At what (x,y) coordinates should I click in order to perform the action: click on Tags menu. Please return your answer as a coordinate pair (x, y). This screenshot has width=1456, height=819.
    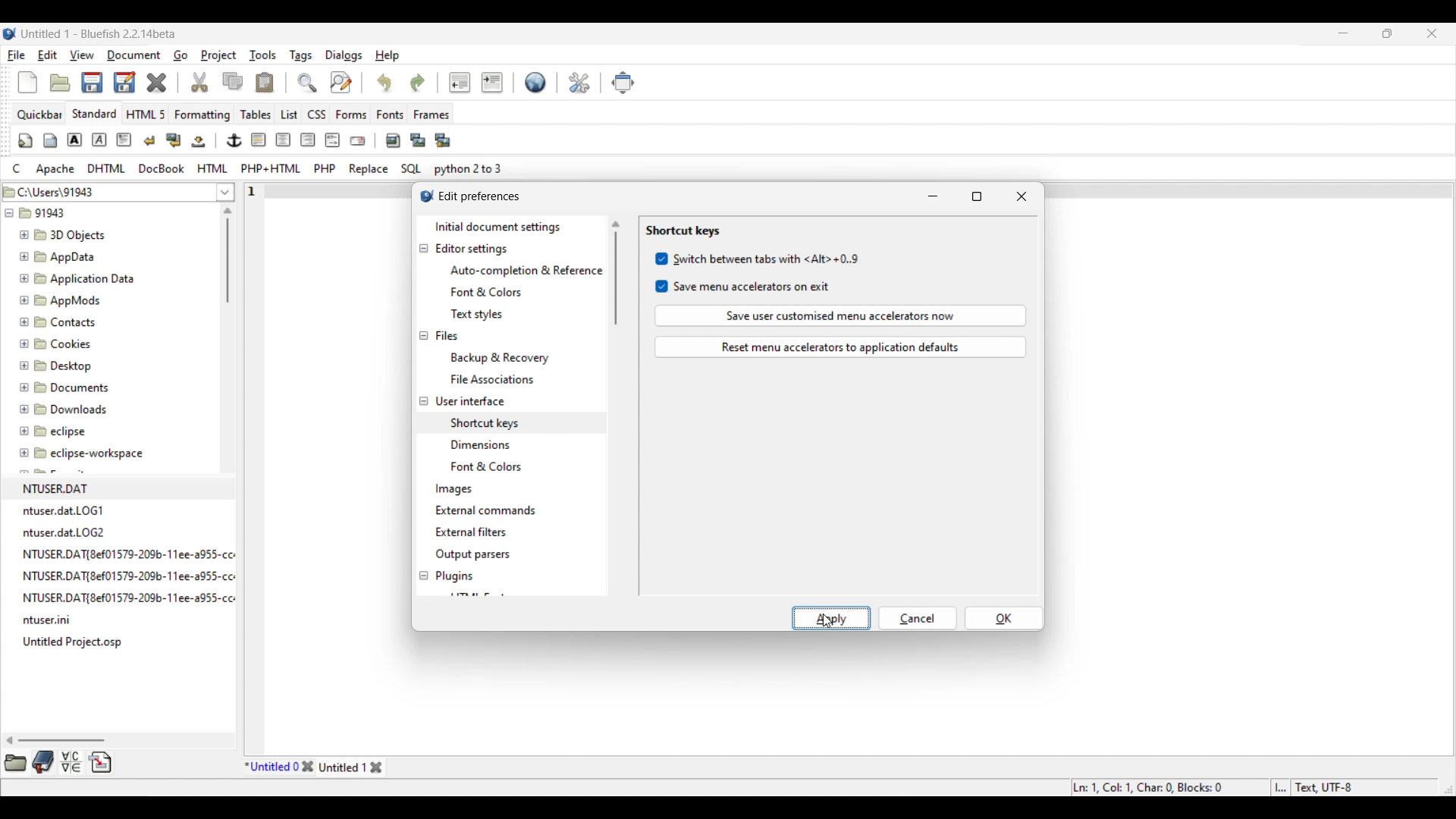
    Looking at the image, I should click on (300, 56).